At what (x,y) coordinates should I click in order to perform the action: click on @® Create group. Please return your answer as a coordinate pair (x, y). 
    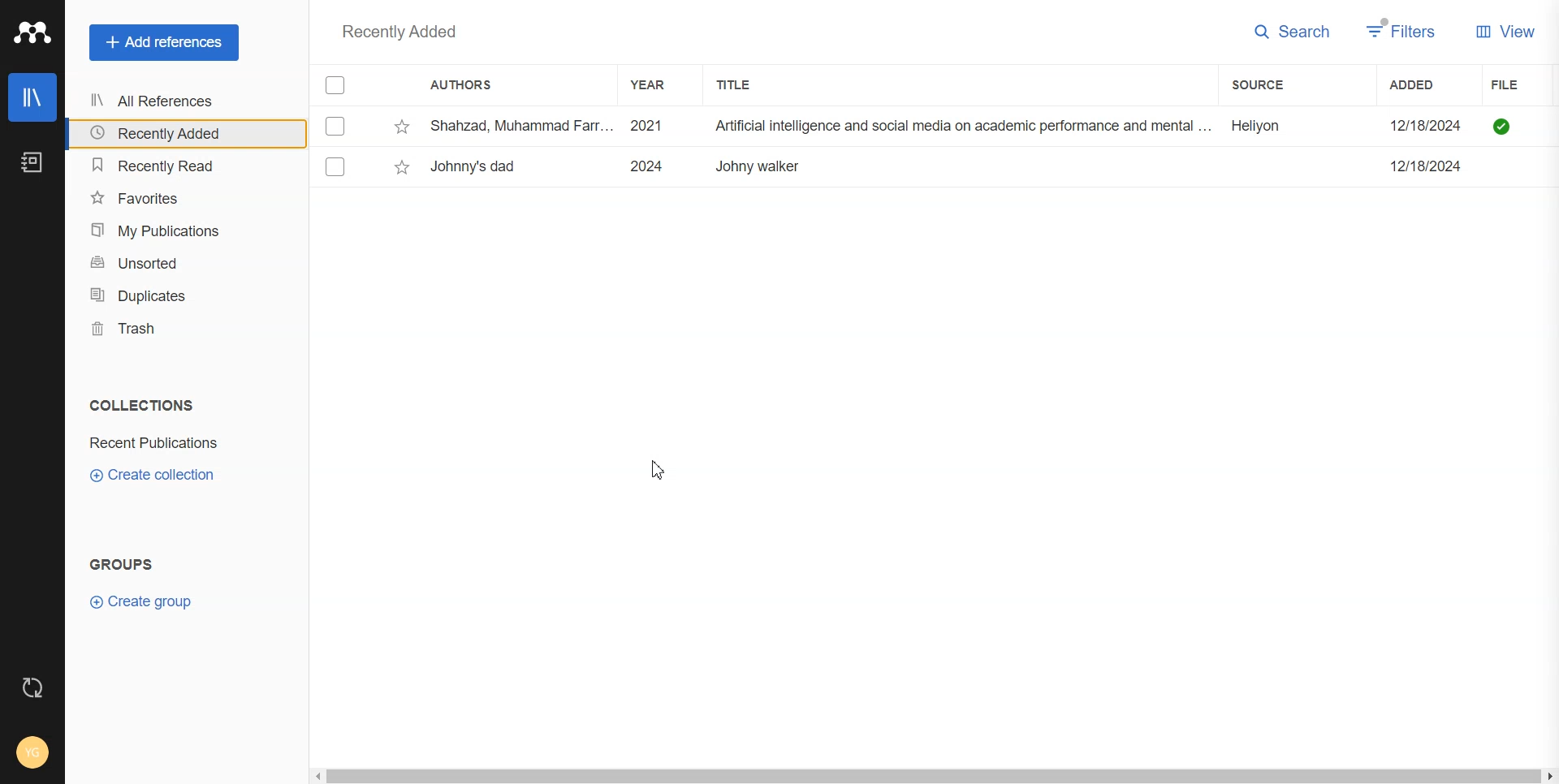
    Looking at the image, I should click on (155, 601).